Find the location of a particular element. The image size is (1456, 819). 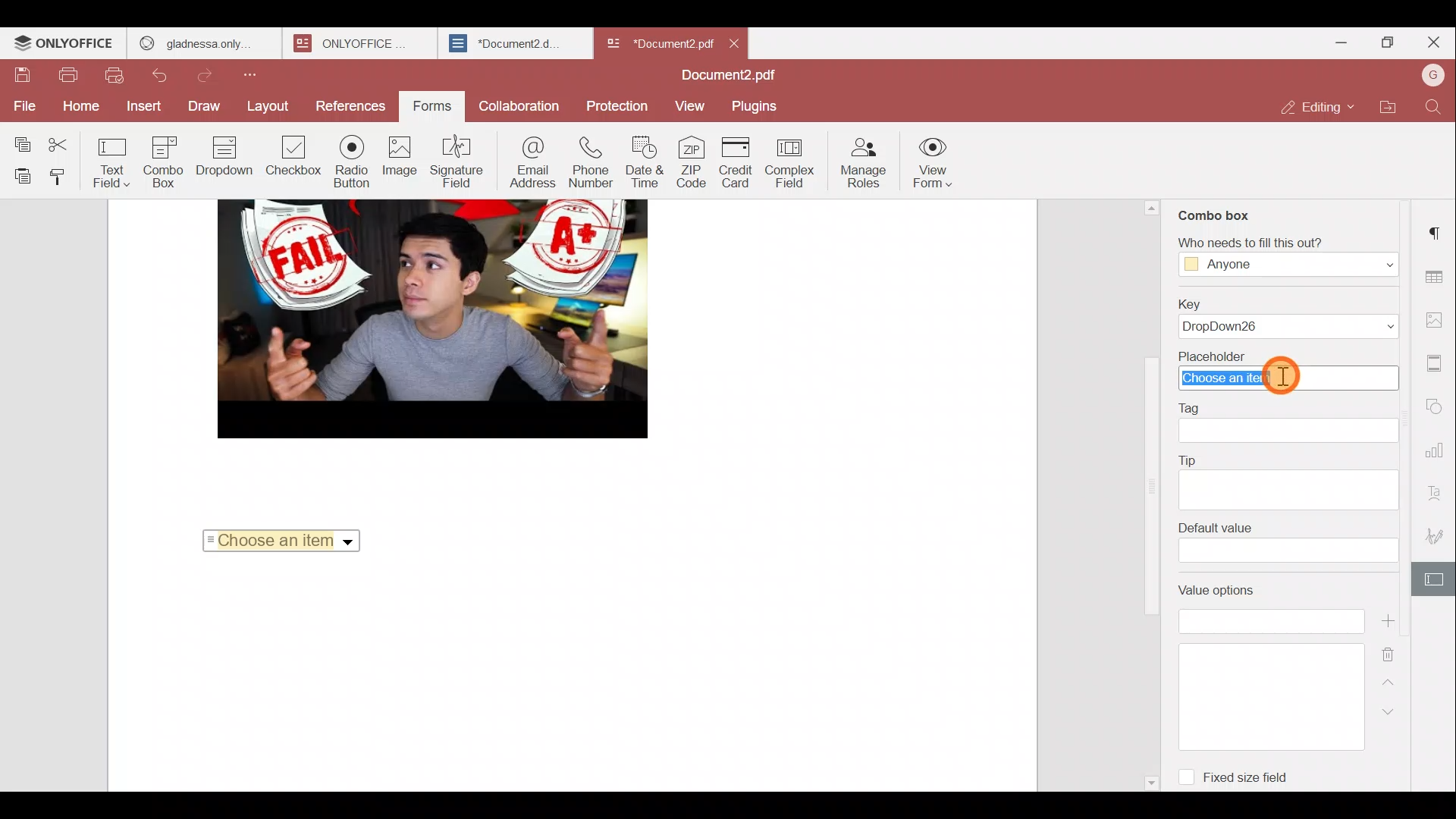

Plugins is located at coordinates (757, 106).